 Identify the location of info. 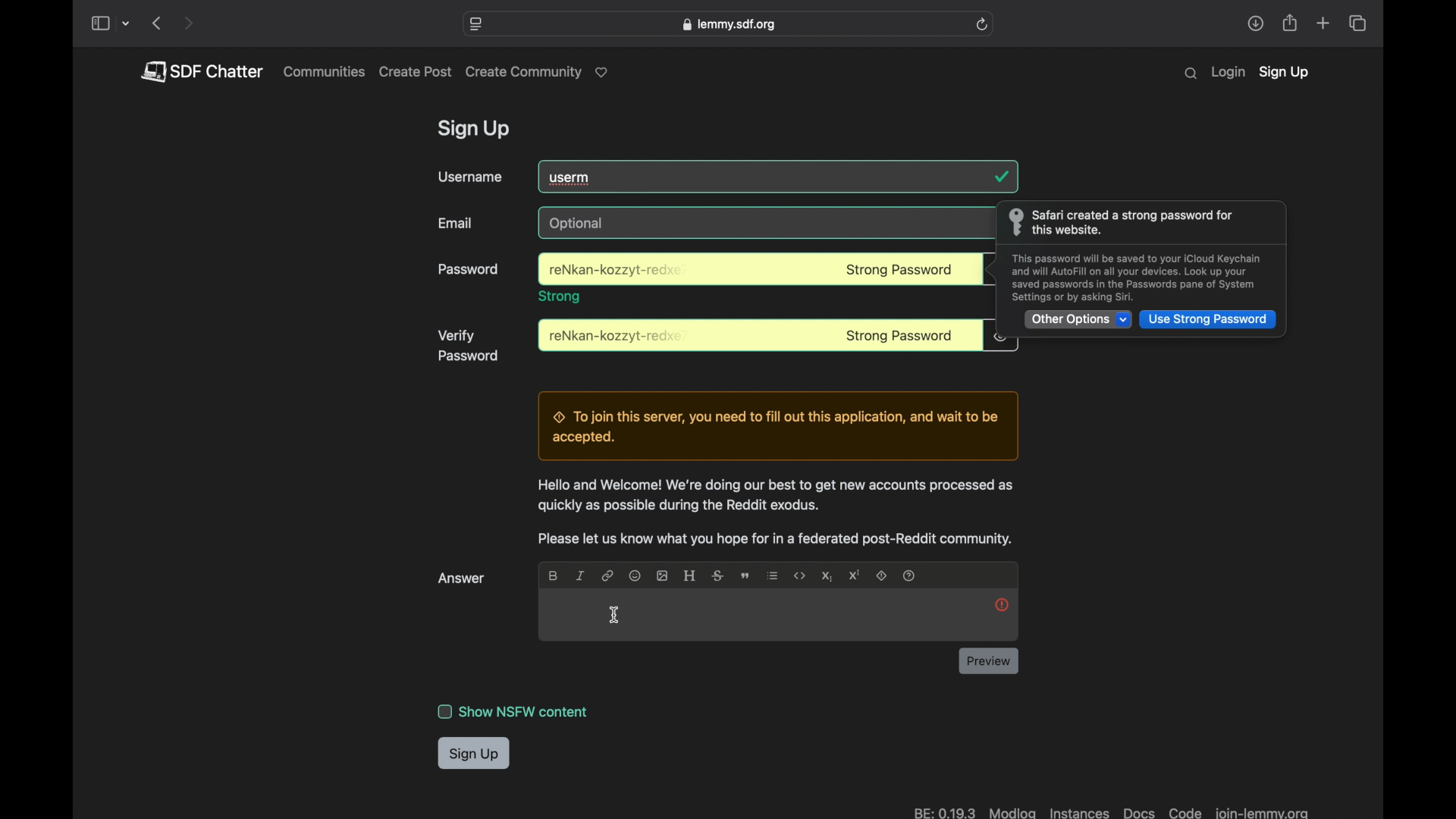
(1134, 278).